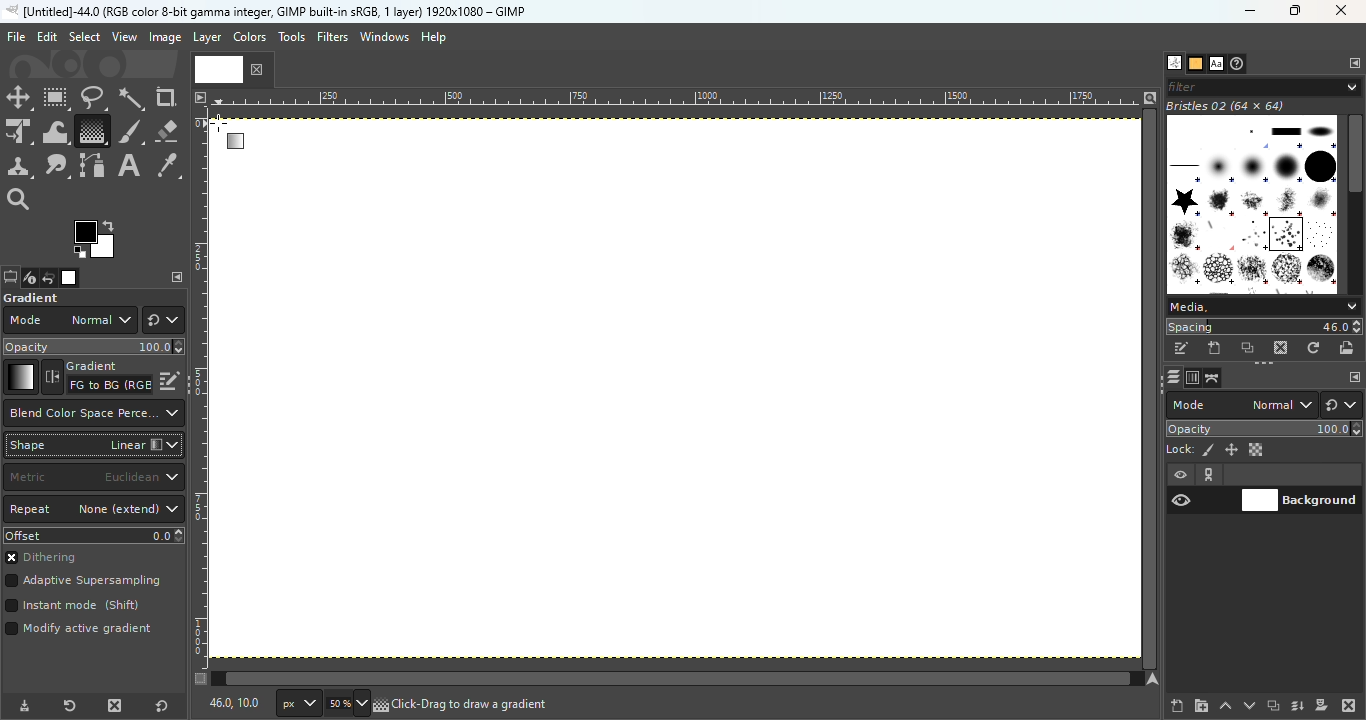 This screenshot has height=720, width=1366. Describe the element at coordinates (166, 97) in the screenshot. I see `Crop tool` at that location.